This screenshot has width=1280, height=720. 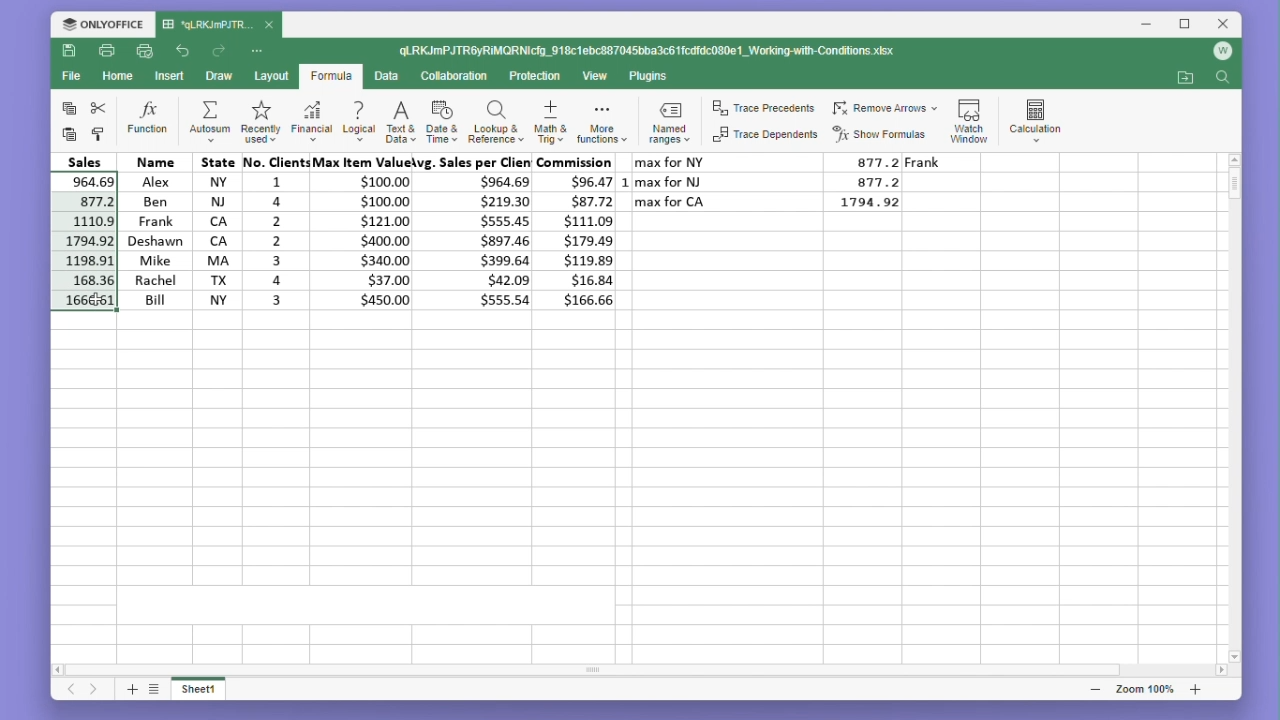 I want to click on Vertical scroll bar, so click(x=1234, y=403).